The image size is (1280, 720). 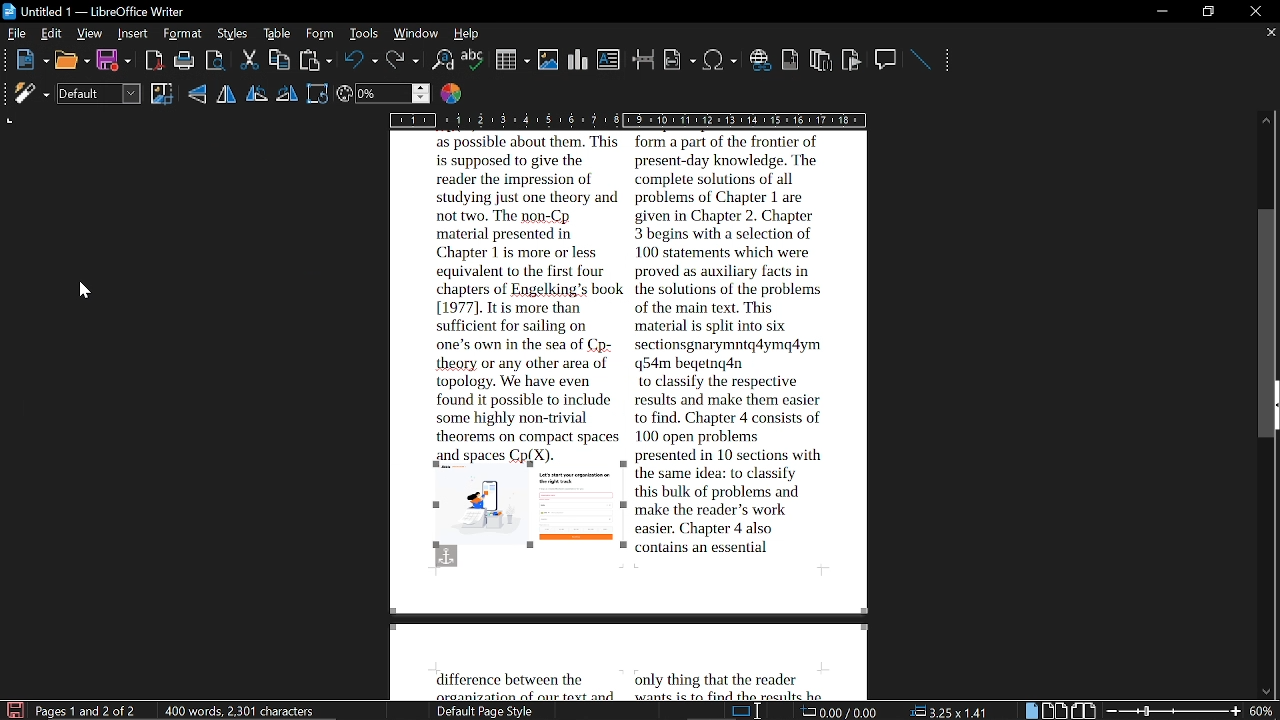 I want to click on print, so click(x=185, y=61).